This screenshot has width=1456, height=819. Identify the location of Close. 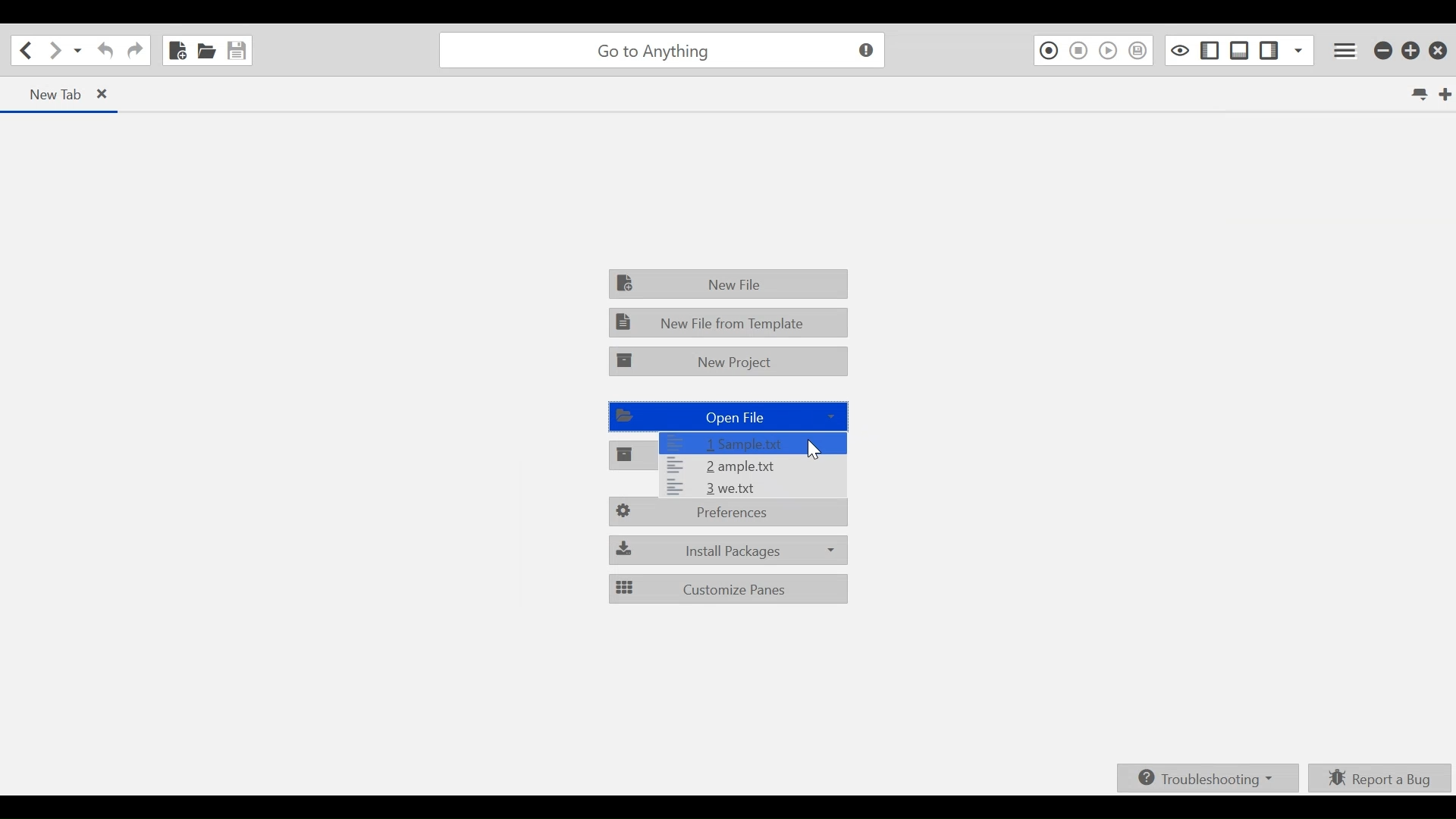
(1440, 47).